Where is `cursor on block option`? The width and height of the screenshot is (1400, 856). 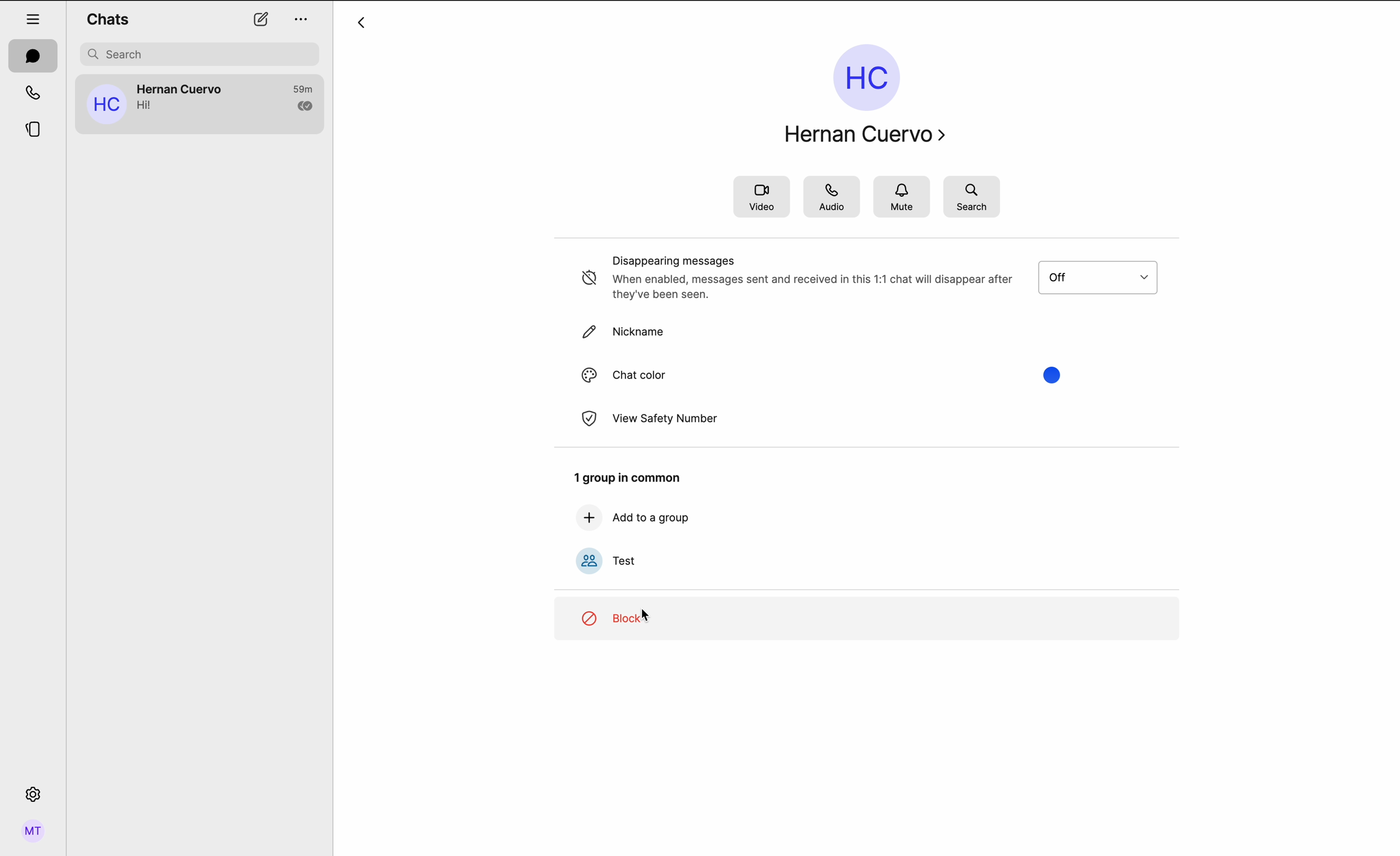 cursor on block option is located at coordinates (865, 620).